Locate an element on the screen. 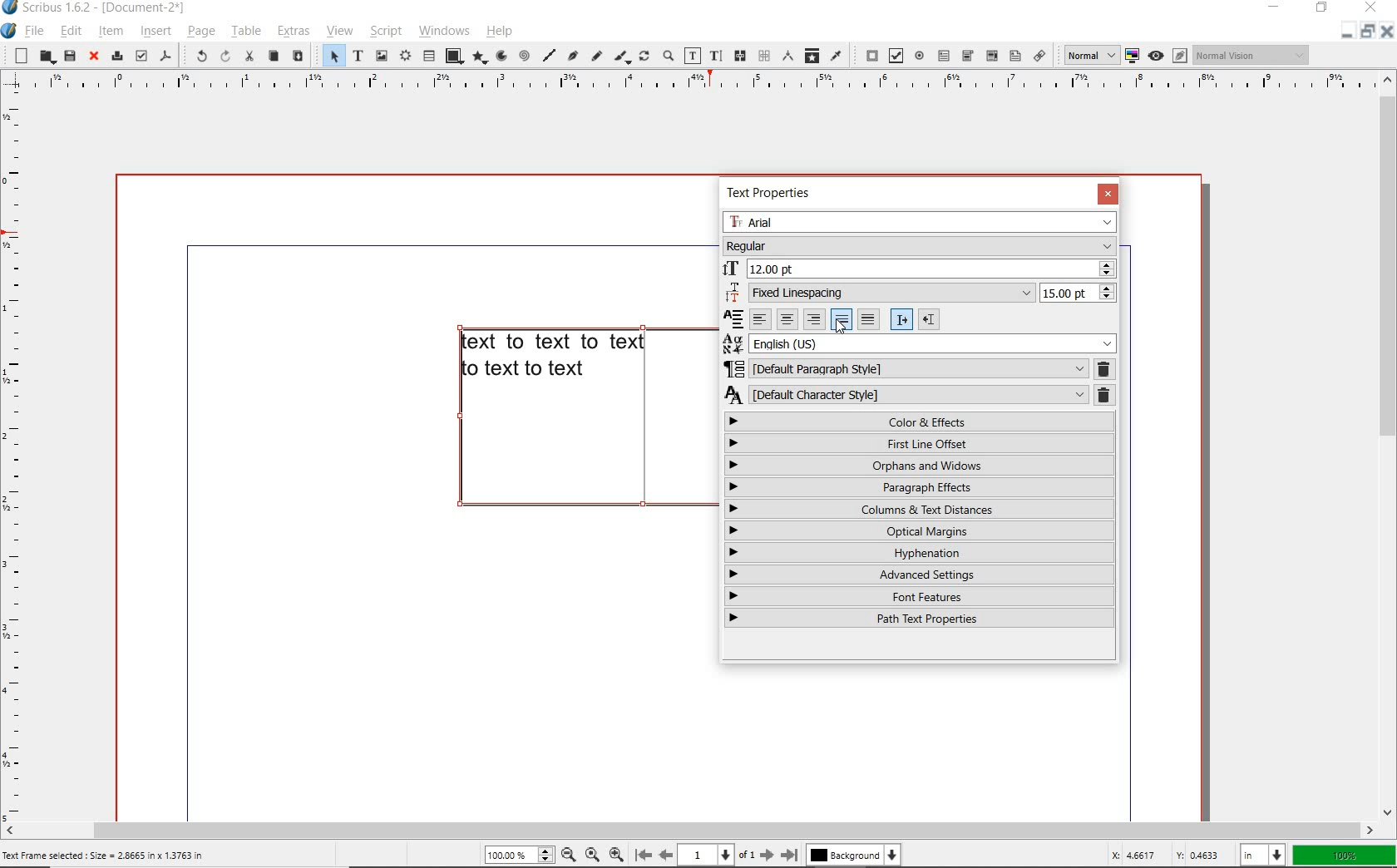 This screenshot has width=1397, height=868. scrollbar is located at coordinates (1389, 446).